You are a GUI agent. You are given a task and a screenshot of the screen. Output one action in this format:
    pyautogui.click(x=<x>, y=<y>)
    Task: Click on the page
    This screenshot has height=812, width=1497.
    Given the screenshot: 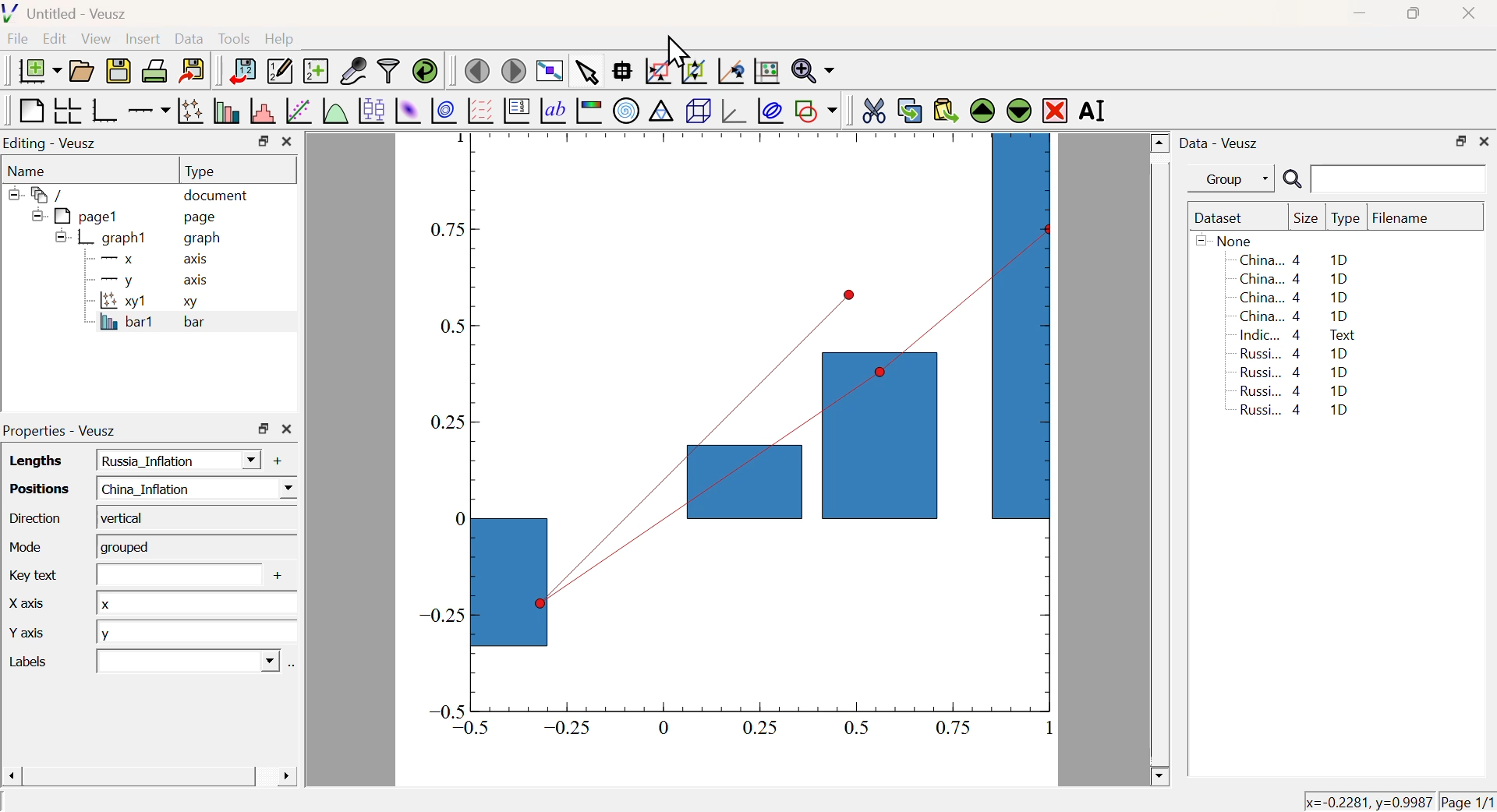 What is the action you would take?
    pyautogui.click(x=203, y=217)
    